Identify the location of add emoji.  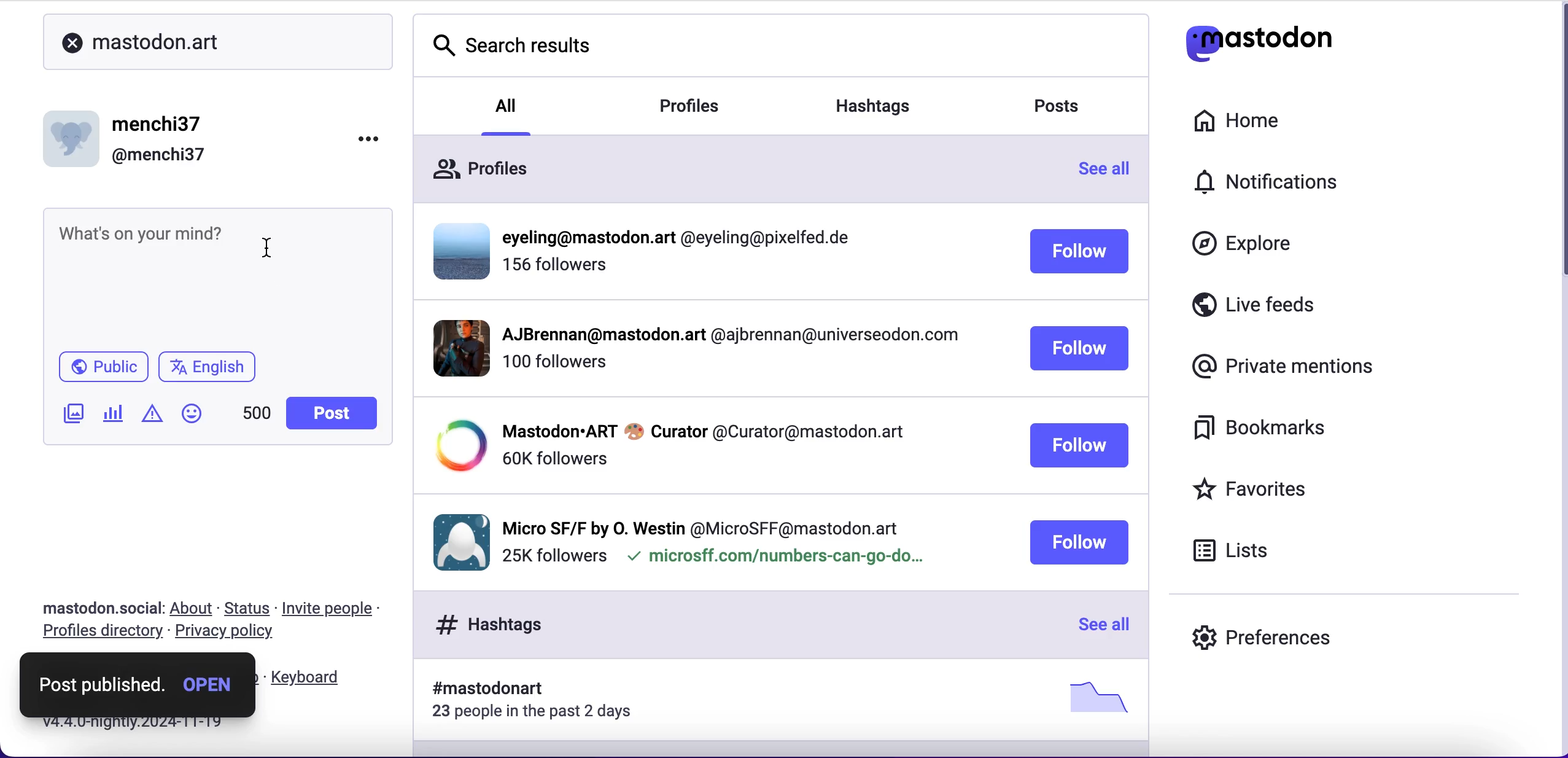
(192, 413).